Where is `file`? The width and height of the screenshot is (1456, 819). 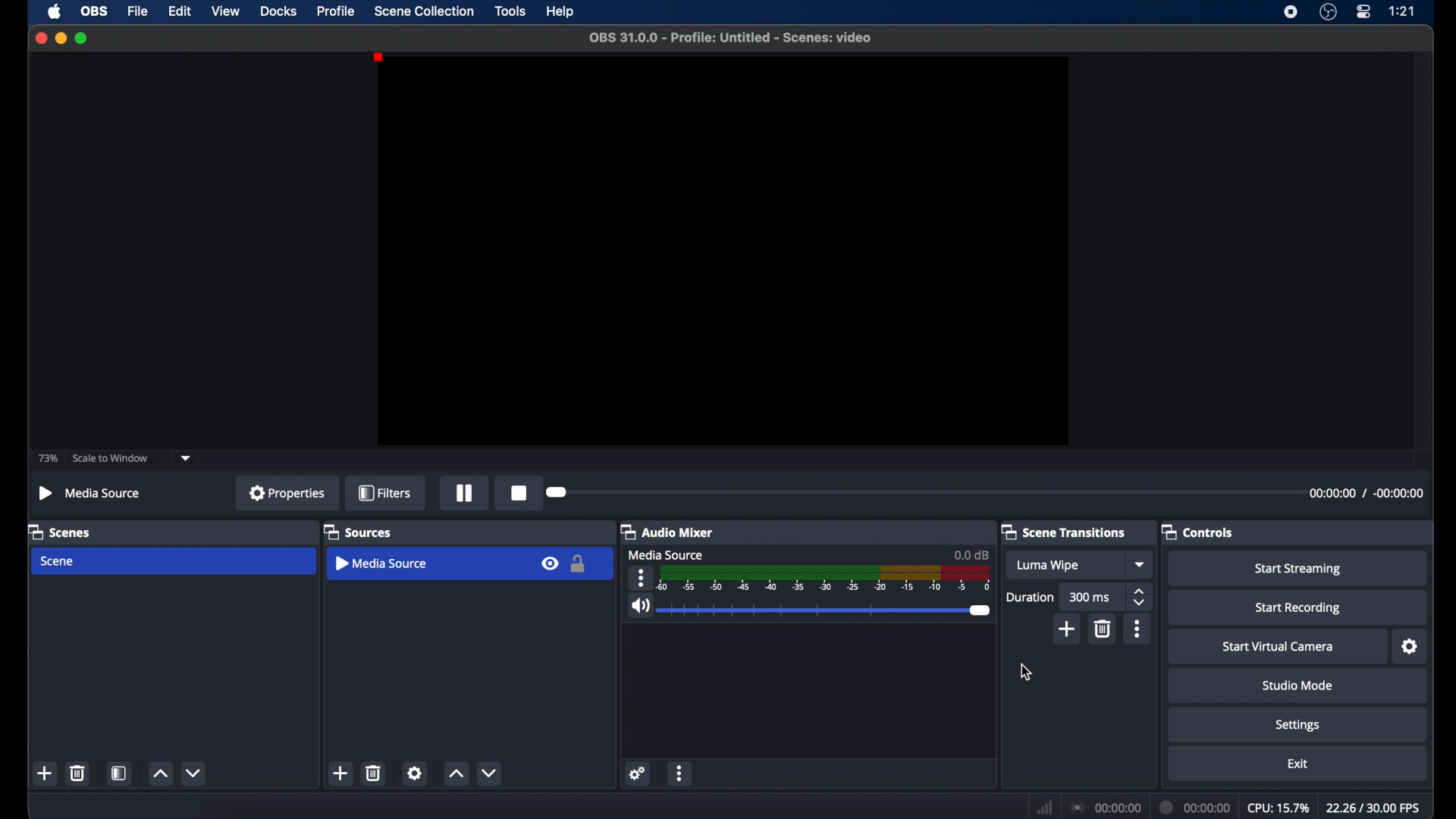 file is located at coordinates (140, 11).